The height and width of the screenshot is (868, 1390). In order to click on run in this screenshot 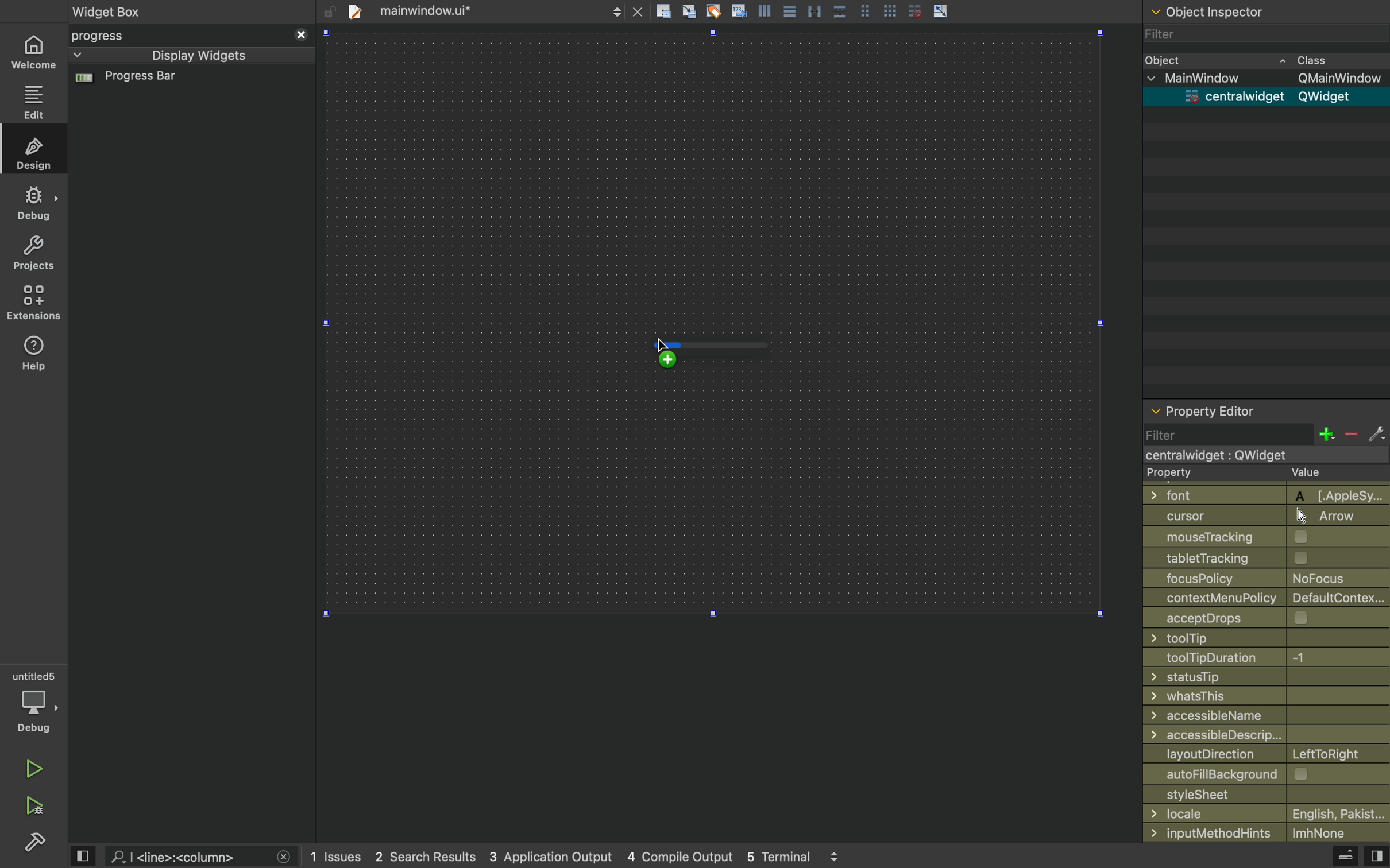, I will do `click(32, 766)`.